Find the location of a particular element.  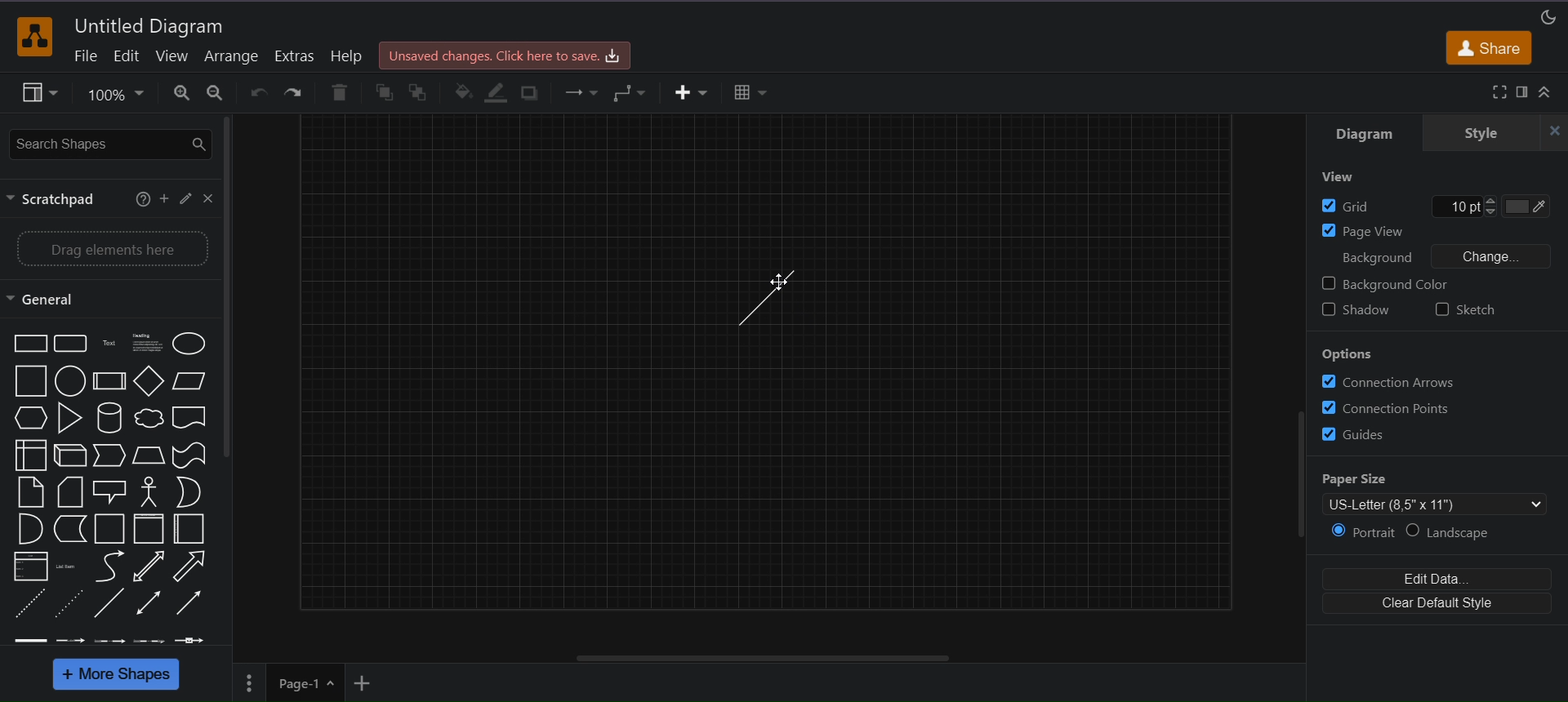

Unsaved changes. Click here to save. is located at coordinates (503, 55).